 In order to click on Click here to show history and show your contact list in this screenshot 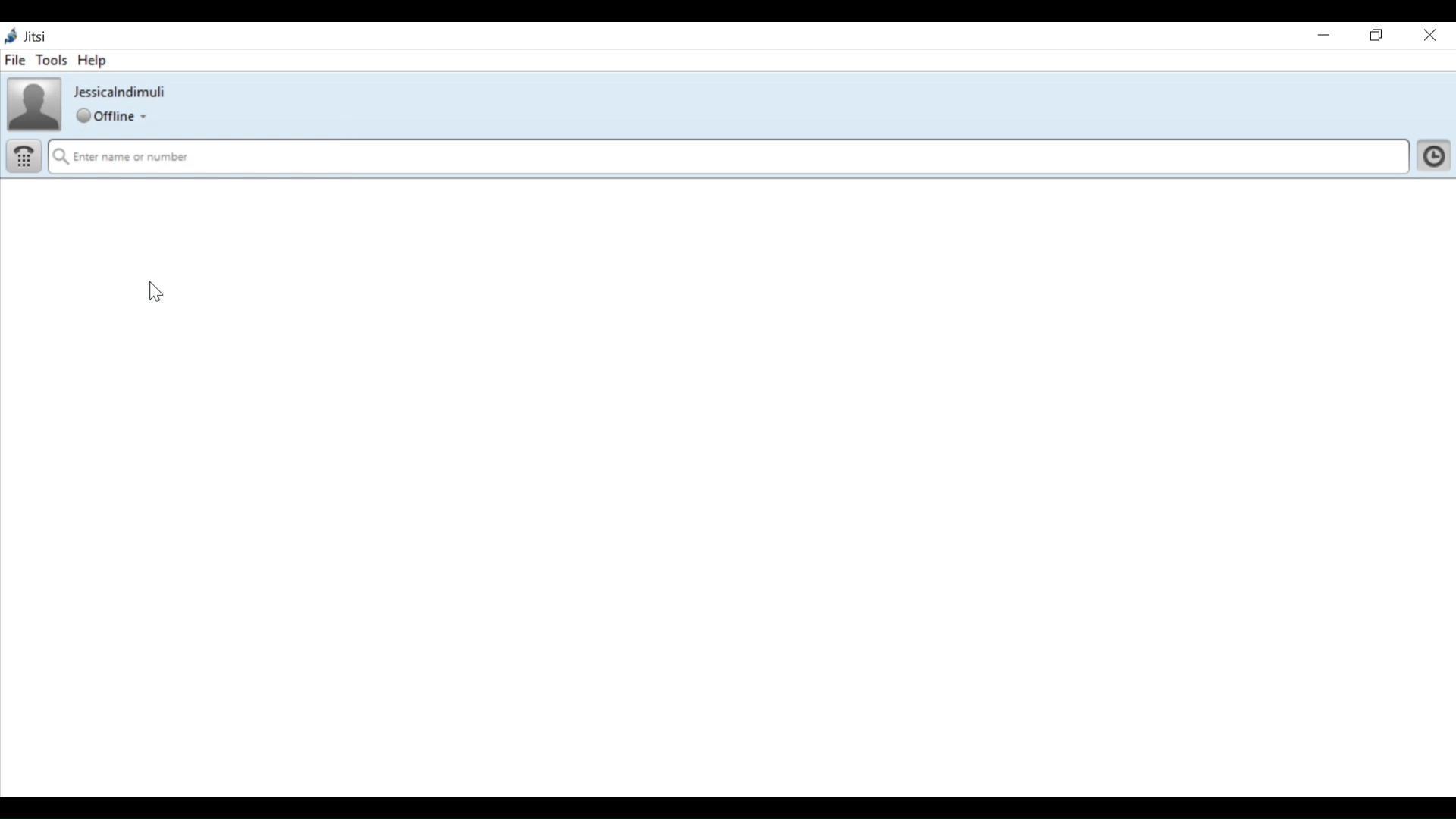, I will do `click(1434, 155)`.